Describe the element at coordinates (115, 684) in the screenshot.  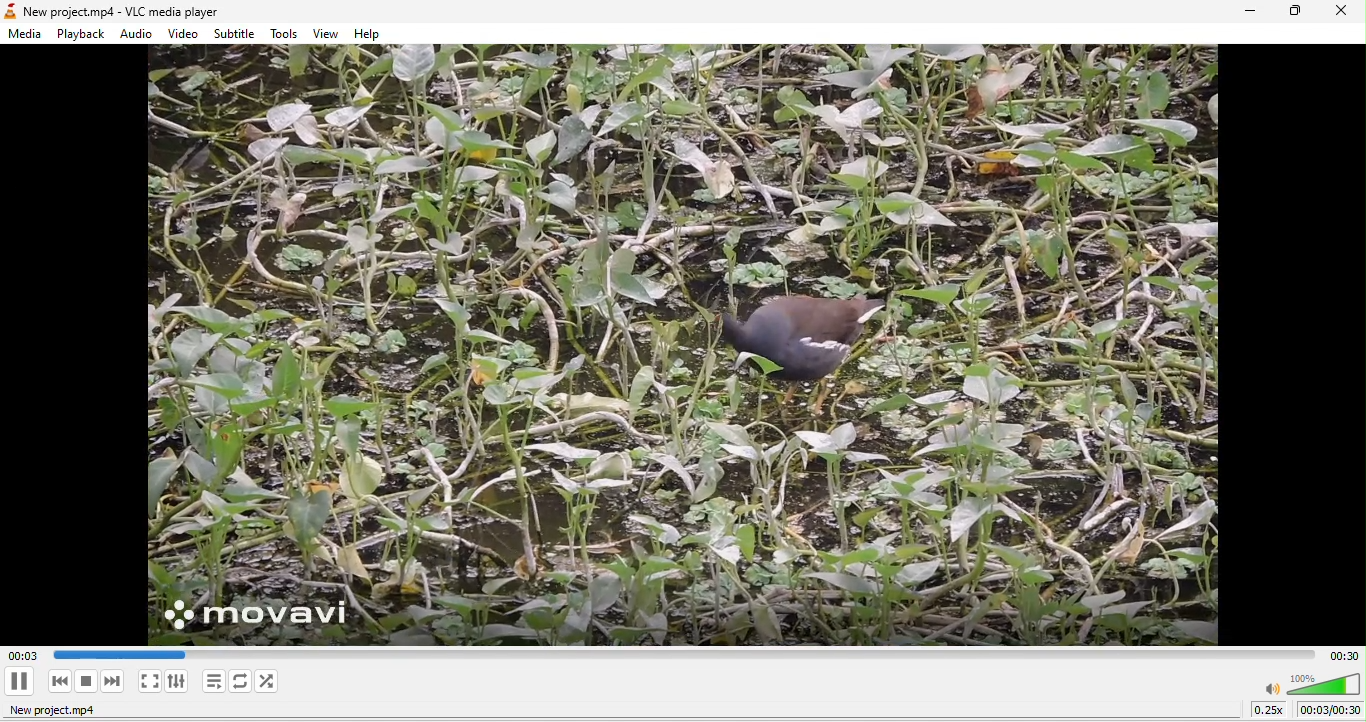
I see `next media` at that location.